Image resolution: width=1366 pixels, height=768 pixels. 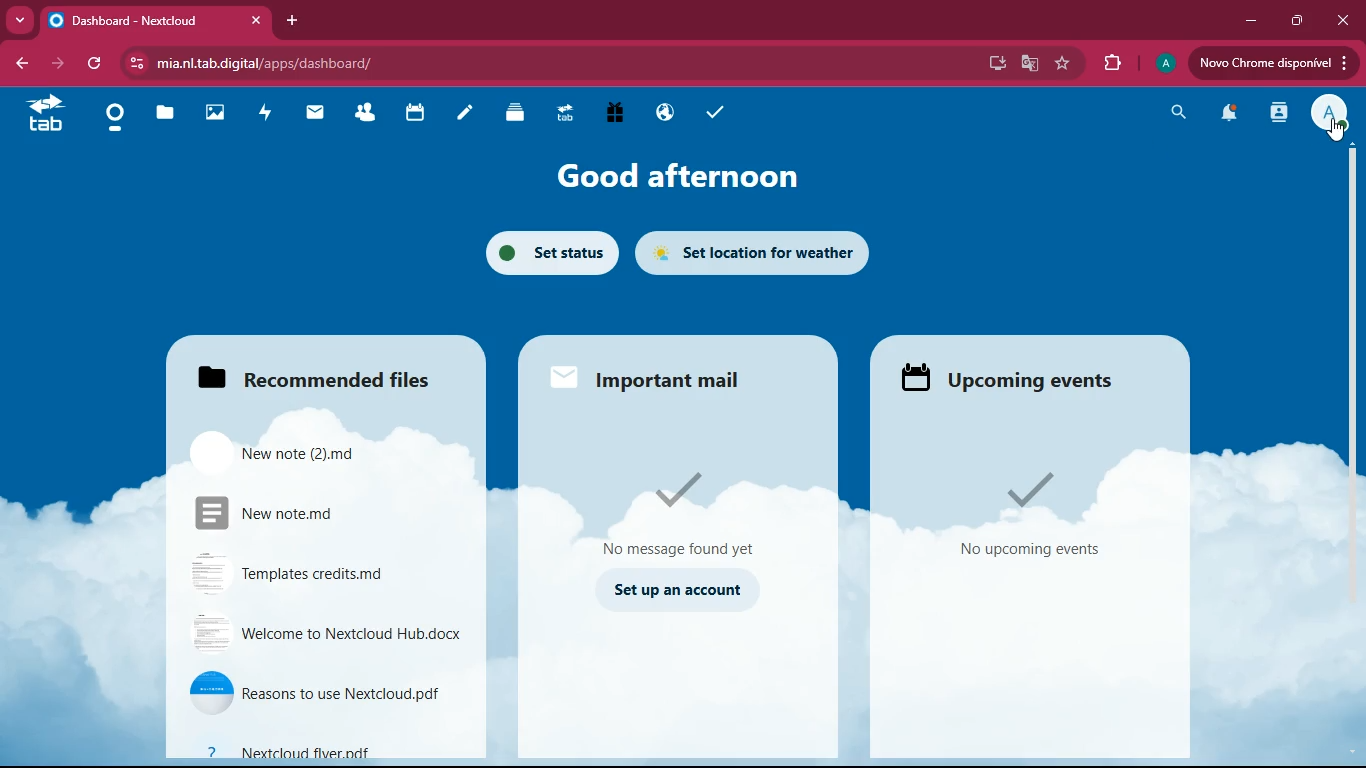 What do you see at coordinates (1176, 111) in the screenshot?
I see `search` at bounding box center [1176, 111].